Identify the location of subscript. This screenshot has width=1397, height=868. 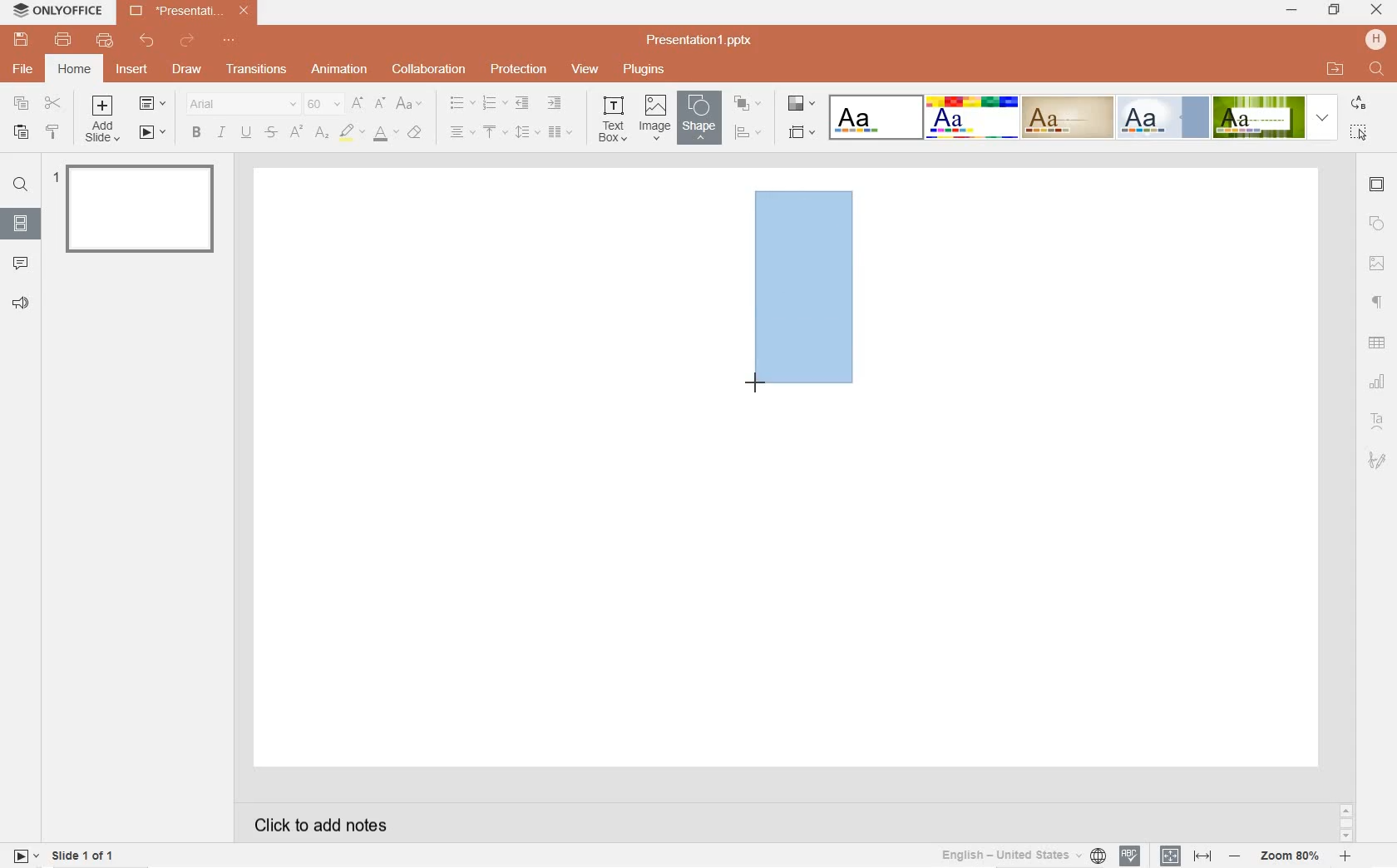
(323, 133).